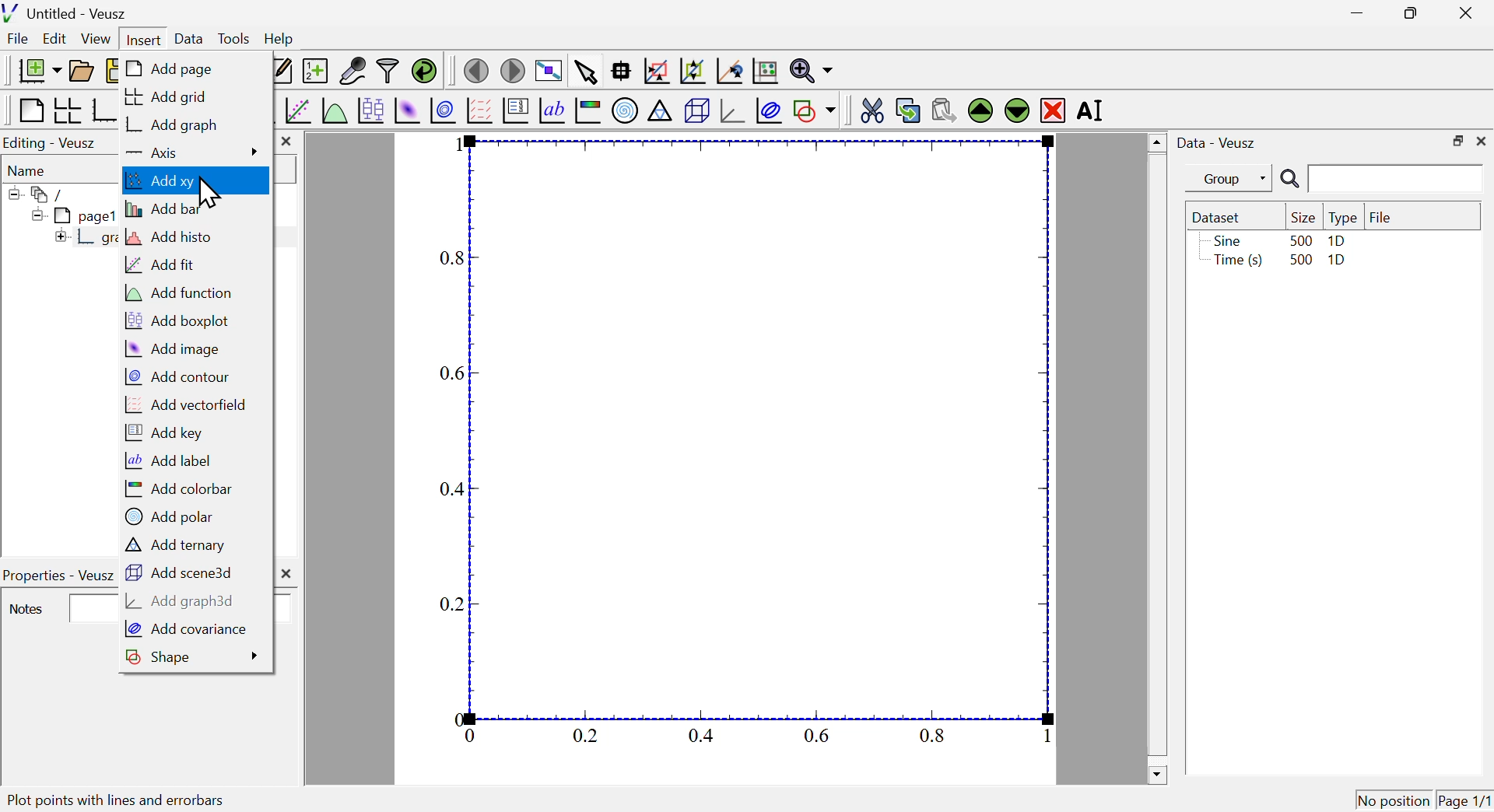  Describe the element at coordinates (1300, 240) in the screenshot. I see `500` at that location.